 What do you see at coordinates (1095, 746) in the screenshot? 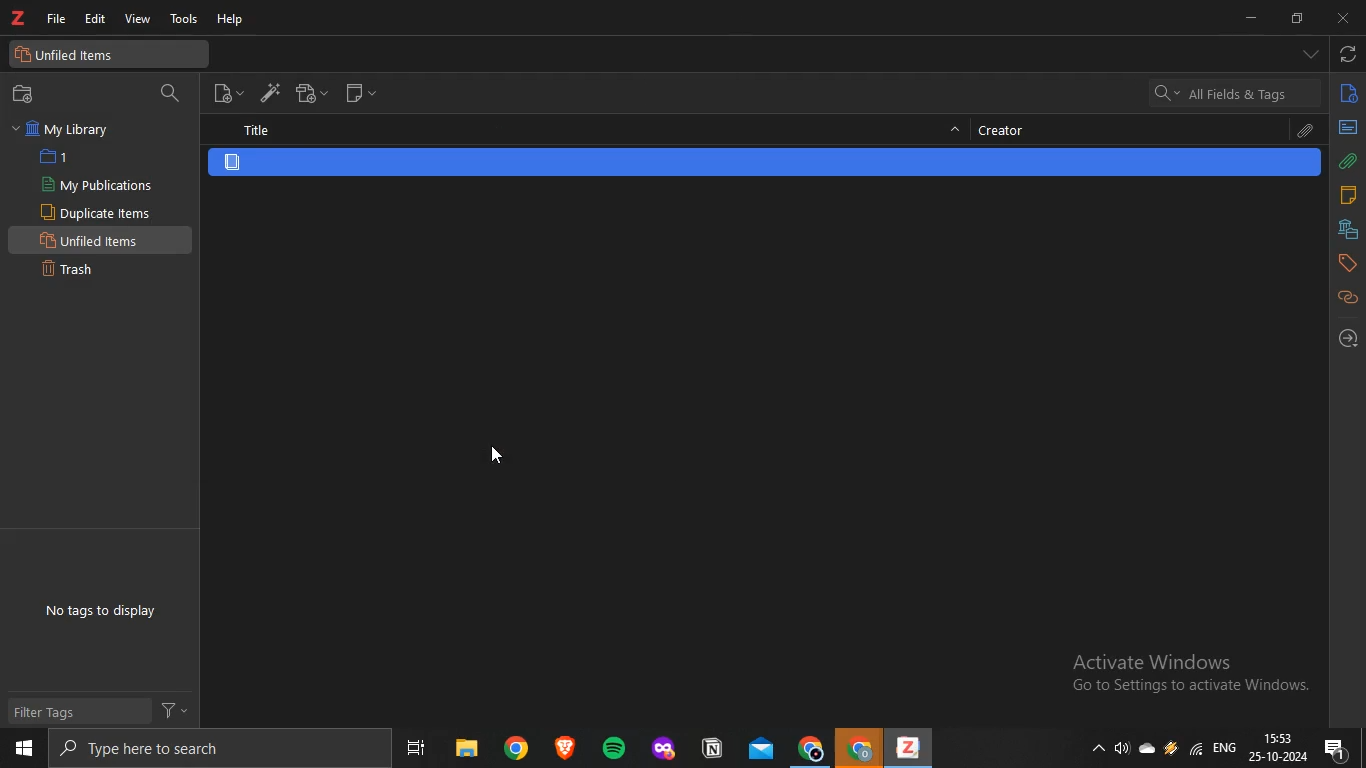
I see `show hidden icons` at bounding box center [1095, 746].